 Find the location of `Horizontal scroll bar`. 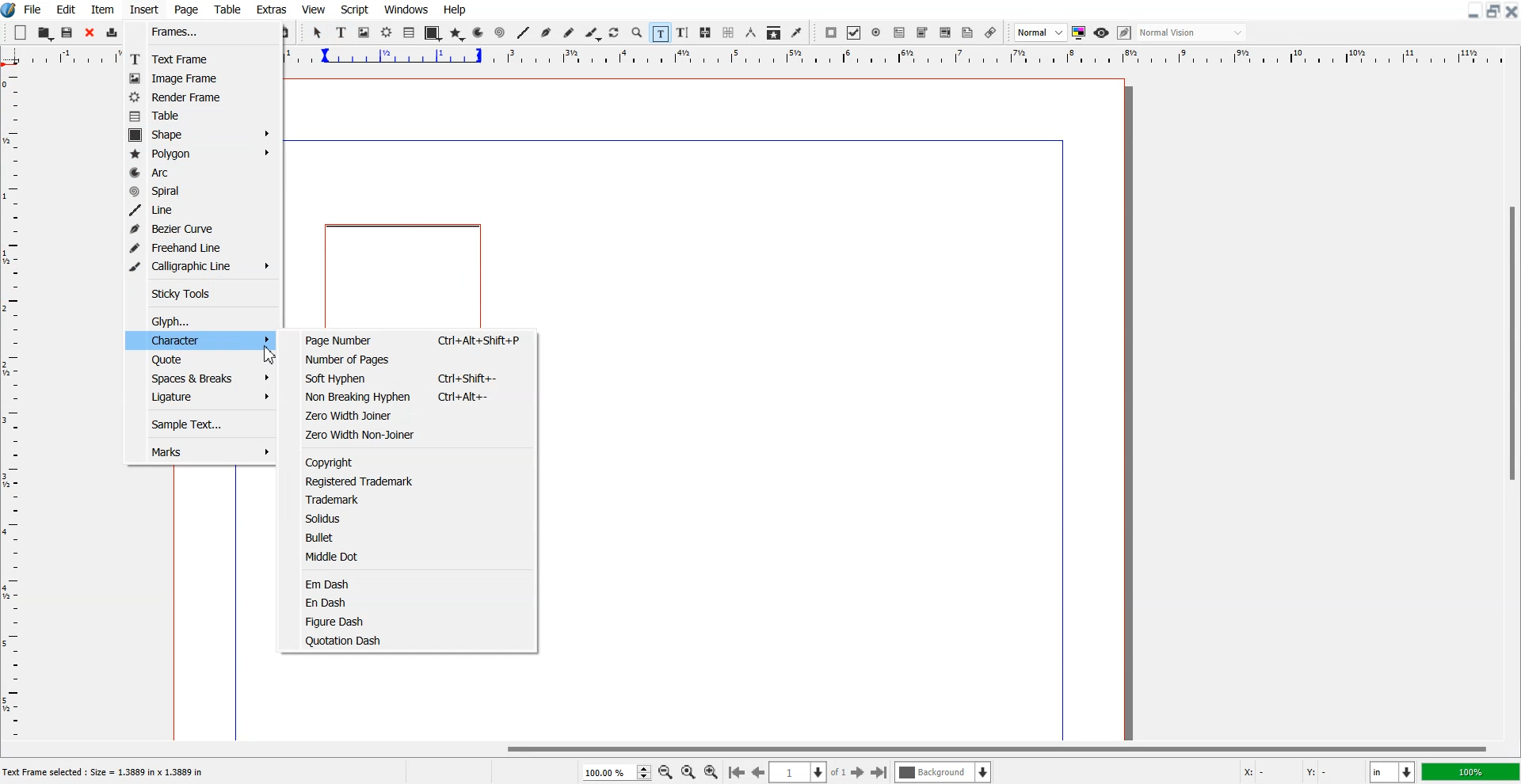

Horizontal scroll bar is located at coordinates (760, 748).